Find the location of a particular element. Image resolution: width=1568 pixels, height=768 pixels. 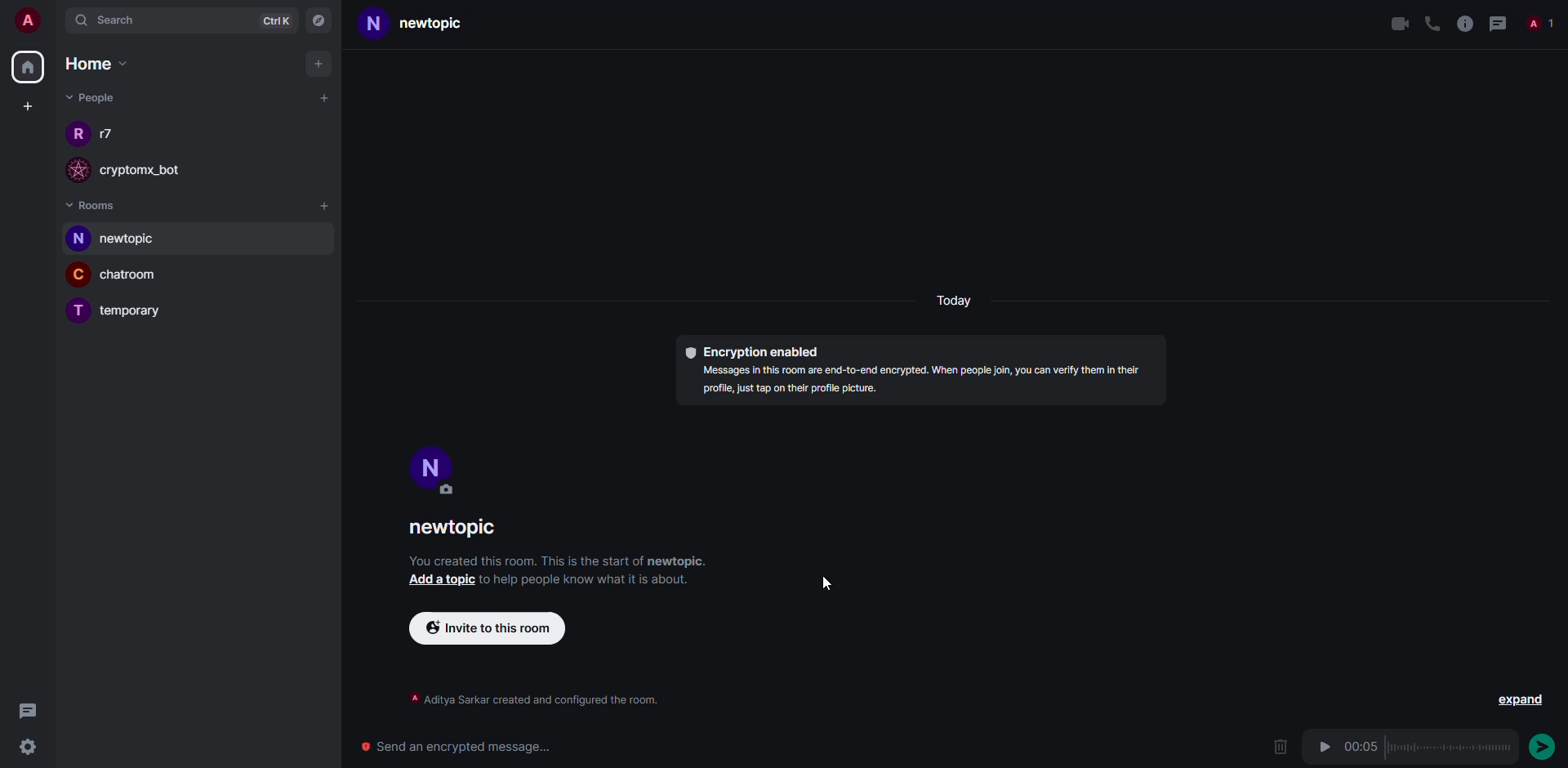

info is located at coordinates (1464, 23).